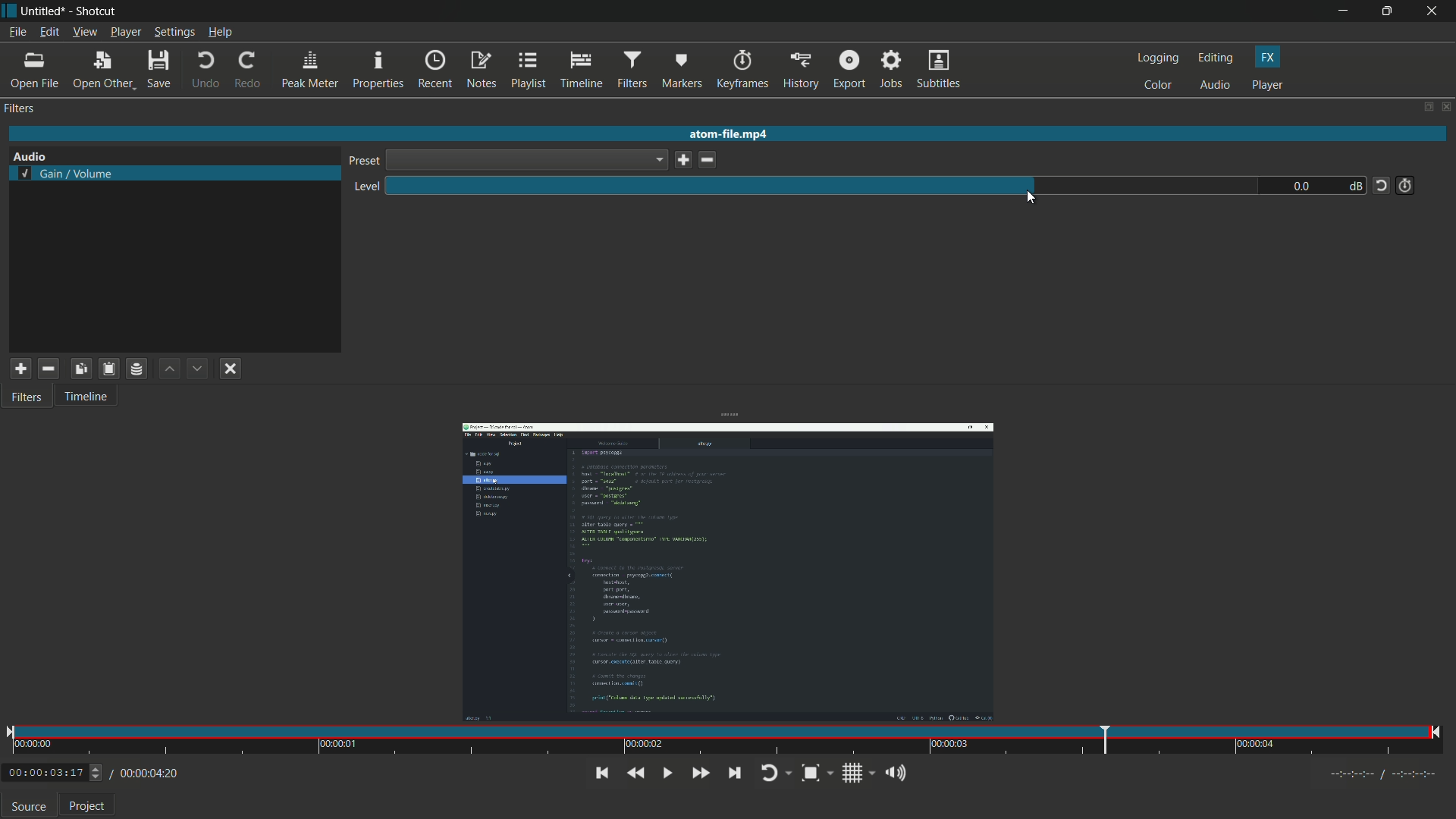 This screenshot has width=1456, height=819. Describe the element at coordinates (174, 32) in the screenshot. I see `settings menu` at that location.